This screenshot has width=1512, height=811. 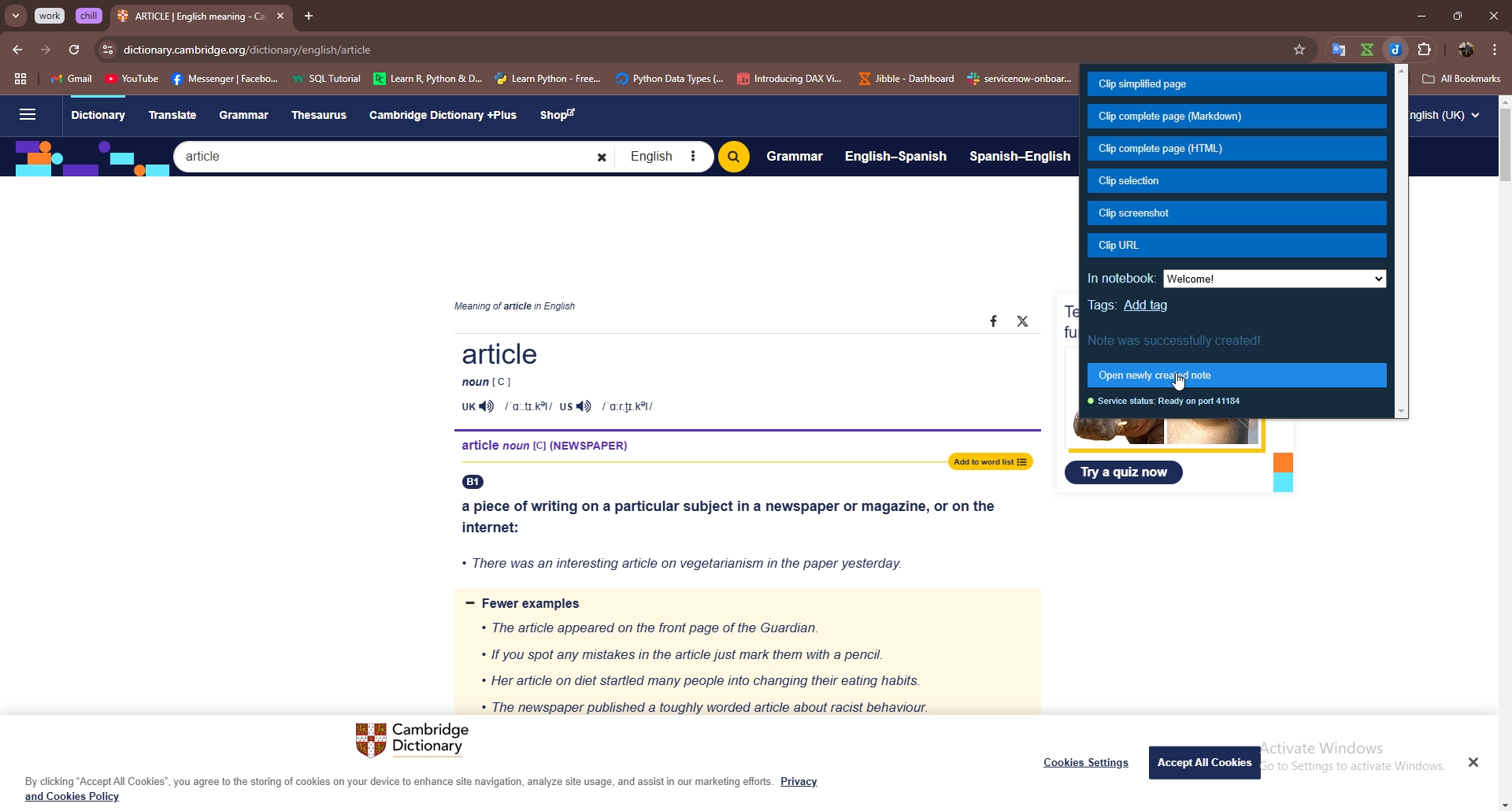 What do you see at coordinates (1397, 48) in the screenshot?
I see `joplin` at bounding box center [1397, 48].